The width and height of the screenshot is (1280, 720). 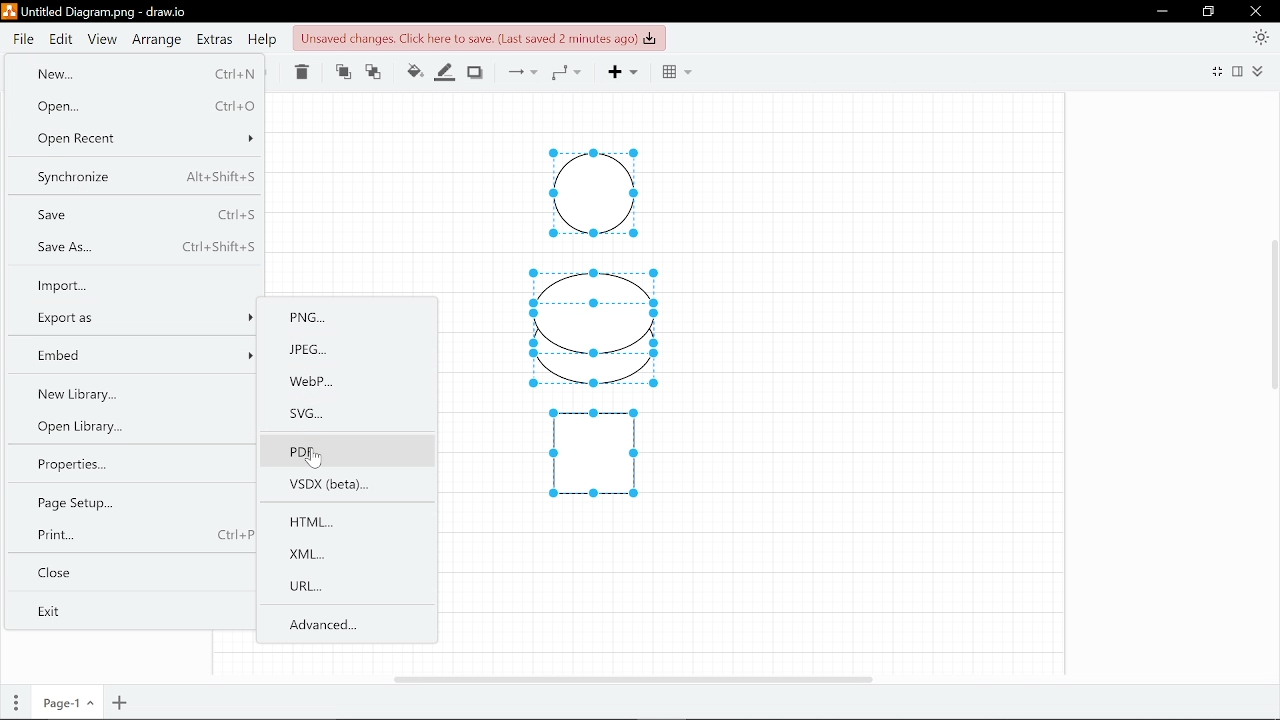 What do you see at coordinates (351, 384) in the screenshot?
I see `WebP` at bounding box center [351, 384].